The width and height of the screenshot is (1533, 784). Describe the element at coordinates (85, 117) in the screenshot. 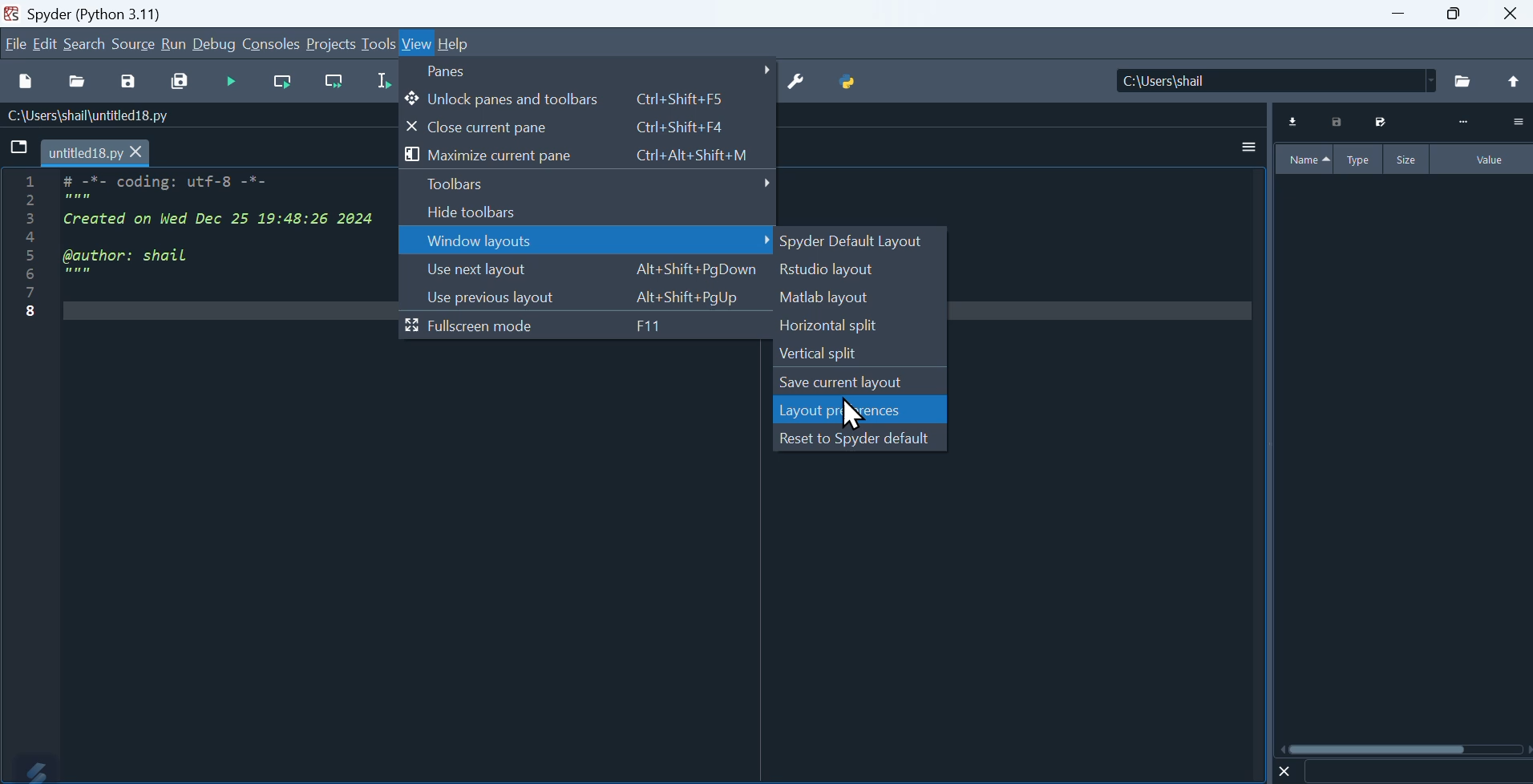

I see `C:\Users\shail\untitled18.py` at that location.